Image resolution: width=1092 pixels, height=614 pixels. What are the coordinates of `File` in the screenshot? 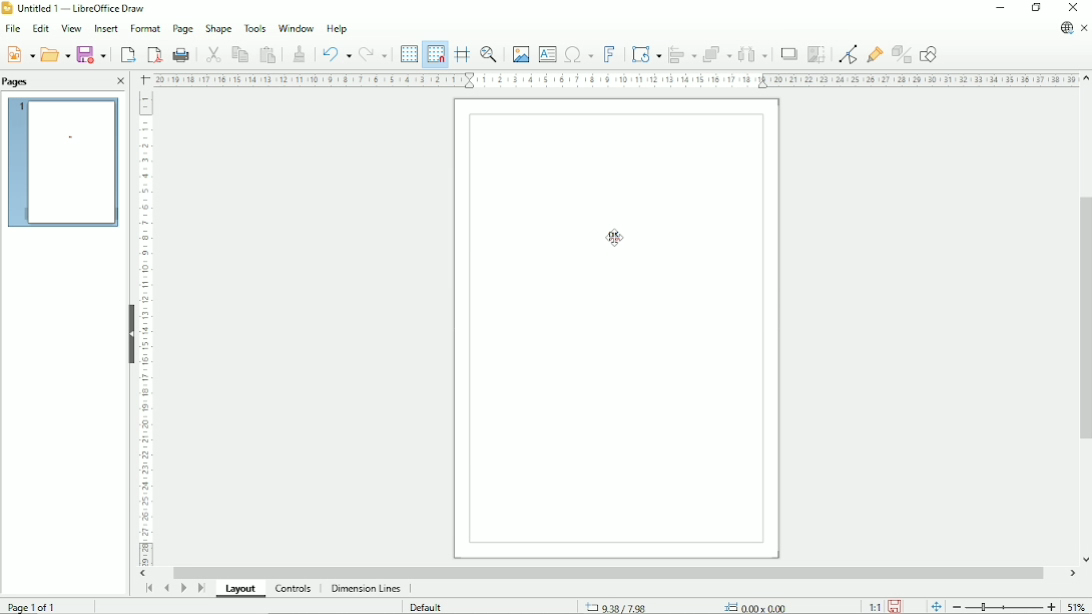 It's located at (11, 29).